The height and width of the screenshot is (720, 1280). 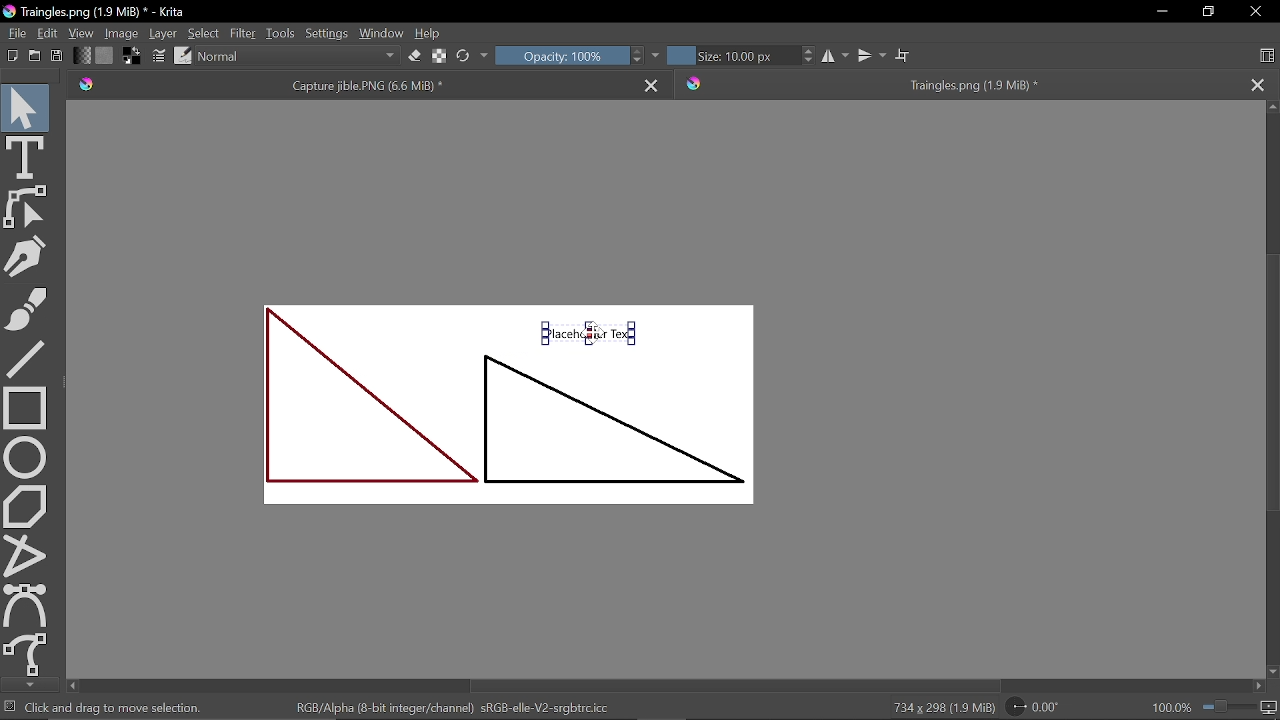 What do you see at coordinates (54, 57) in the screenshot?
I see `Save` at bounding box center [54, 57].